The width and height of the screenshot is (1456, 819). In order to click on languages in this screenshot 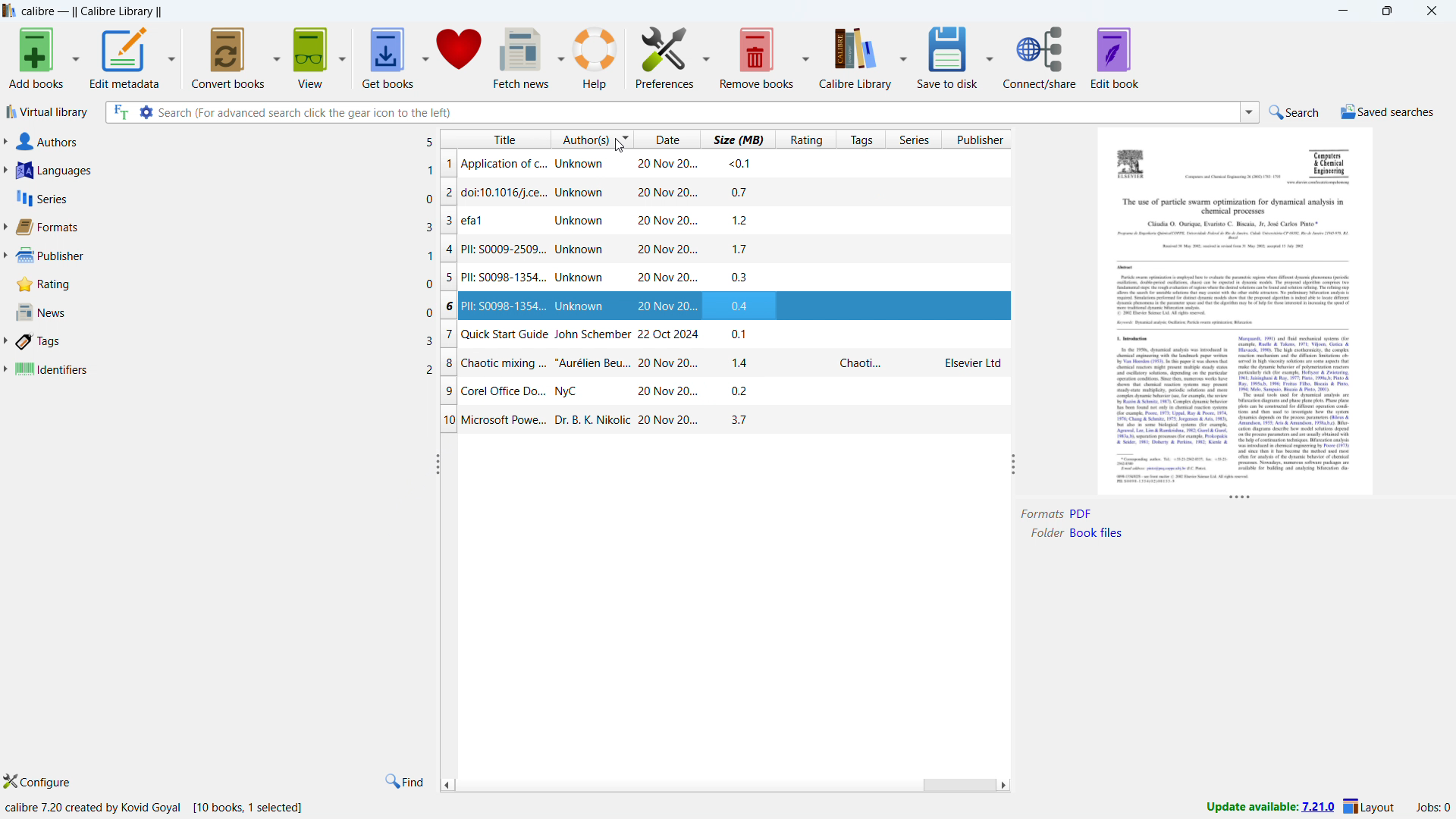, I will do `click(225, 171)`.